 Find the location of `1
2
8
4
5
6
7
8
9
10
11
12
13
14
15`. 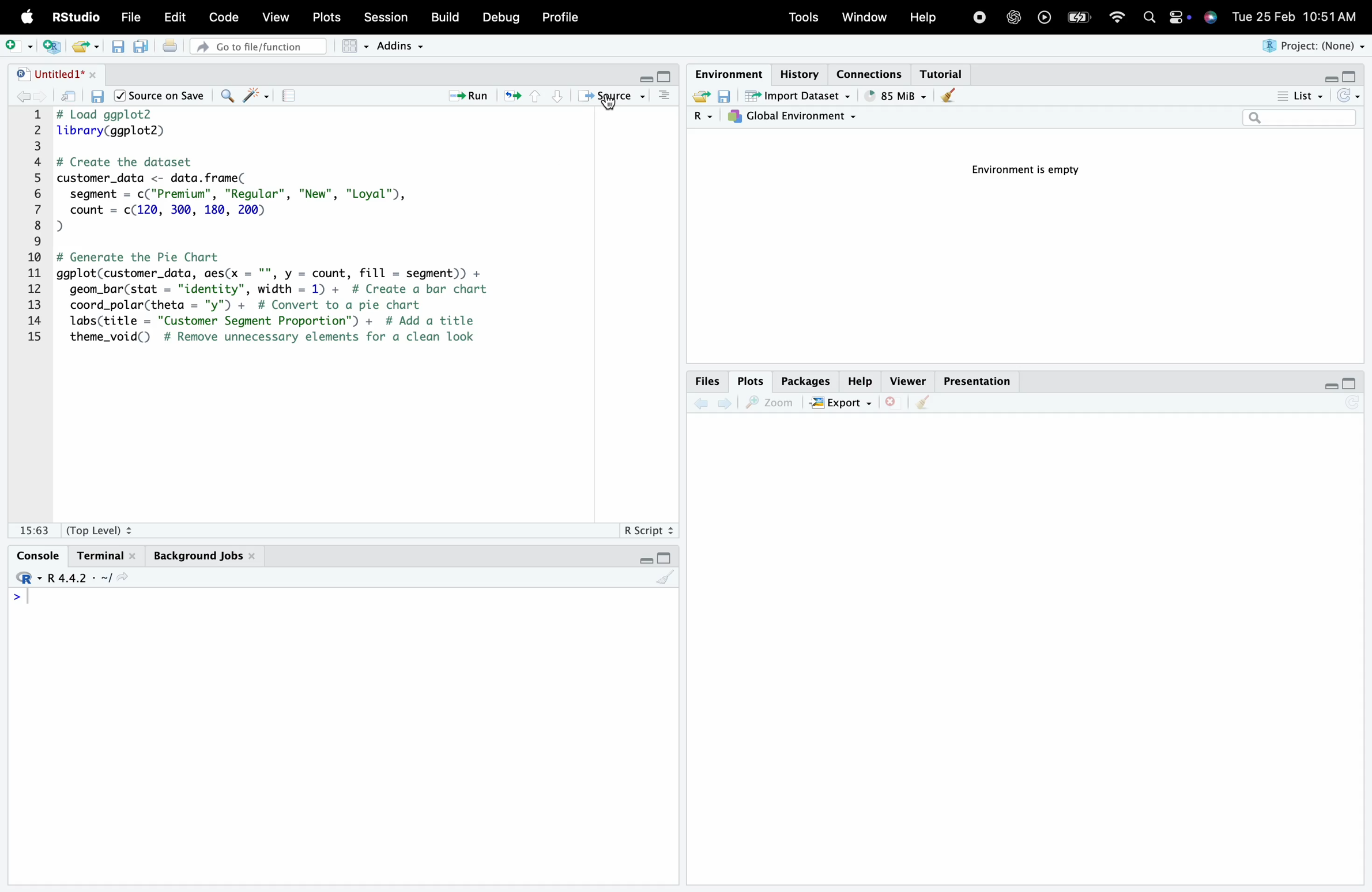

1
2
8
4
5
6
7
8
9
10
11
12
13
14
15 is located at coordinates (38, 225).